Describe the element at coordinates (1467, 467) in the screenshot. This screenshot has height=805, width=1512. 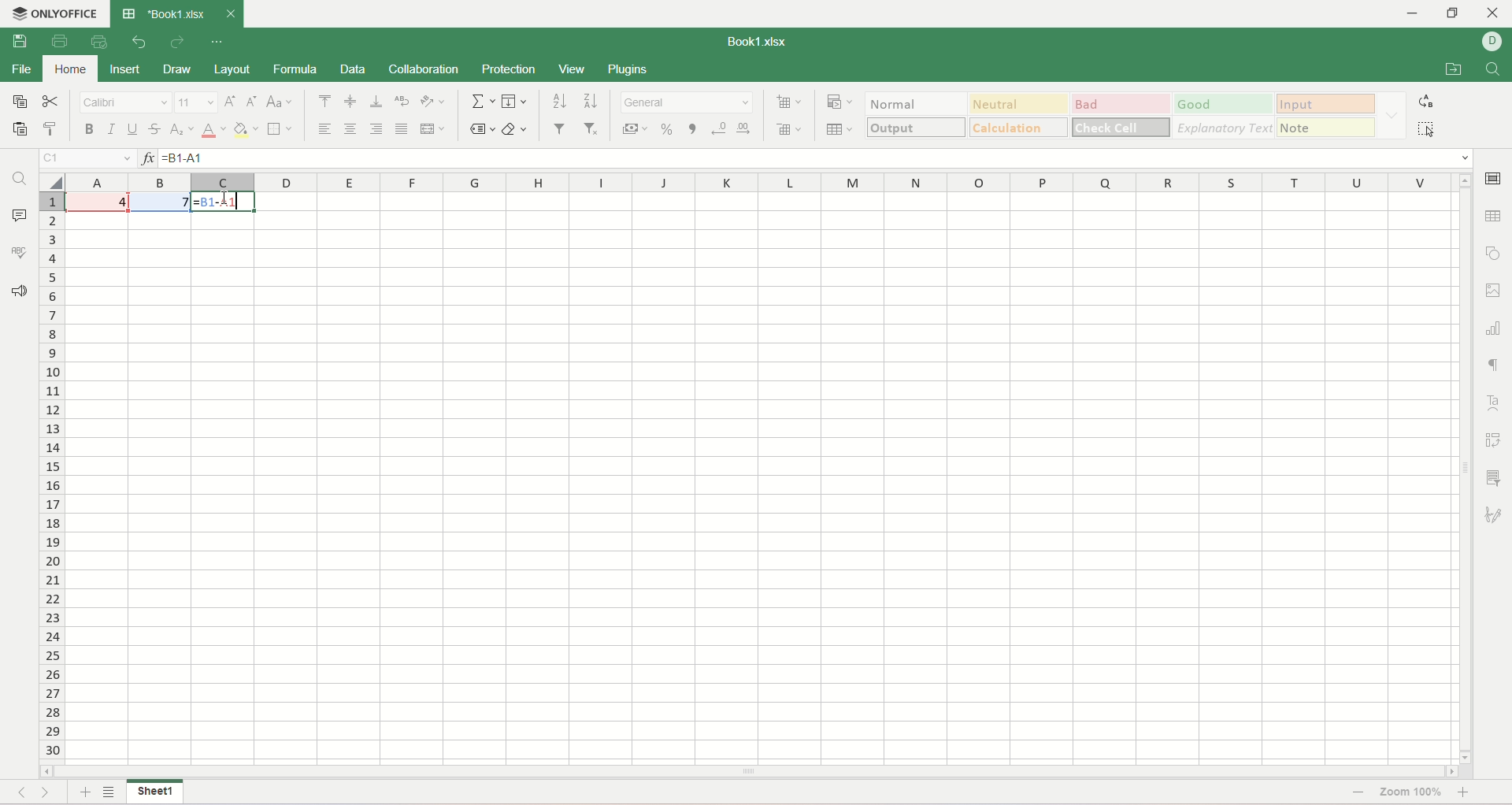
I see `vertical scroll settings` at that location.